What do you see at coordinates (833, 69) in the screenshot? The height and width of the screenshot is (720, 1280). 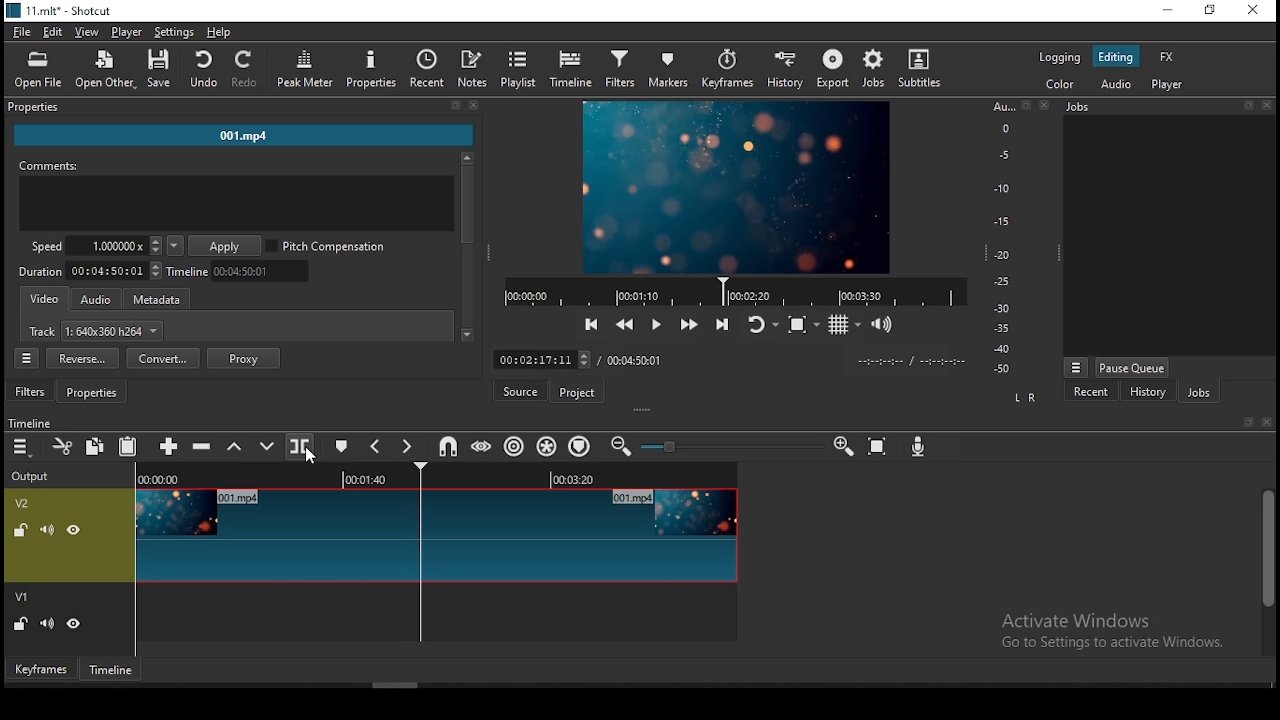 I see `export` at bounding box center [833, 69].